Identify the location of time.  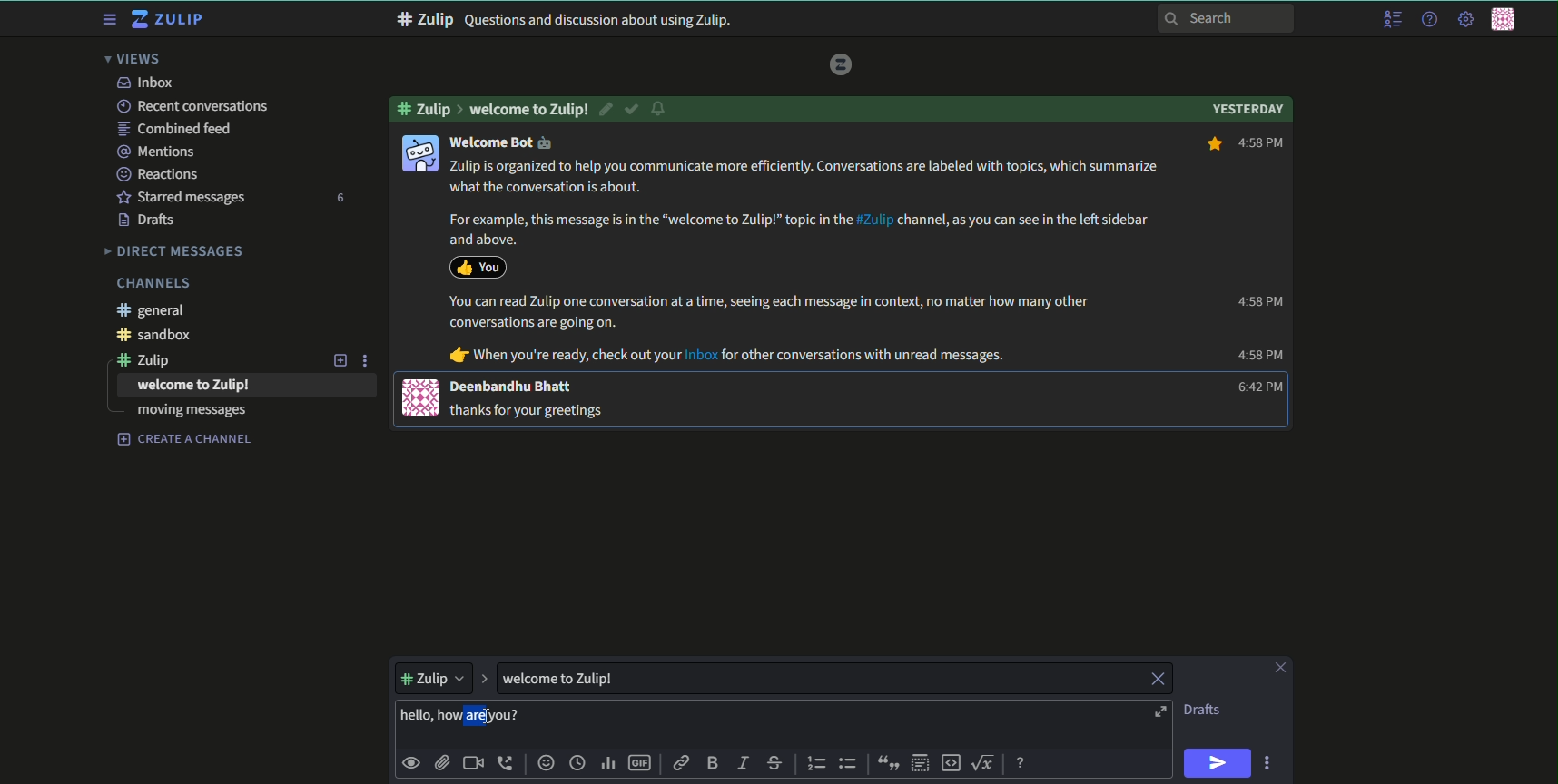
(579, 764).